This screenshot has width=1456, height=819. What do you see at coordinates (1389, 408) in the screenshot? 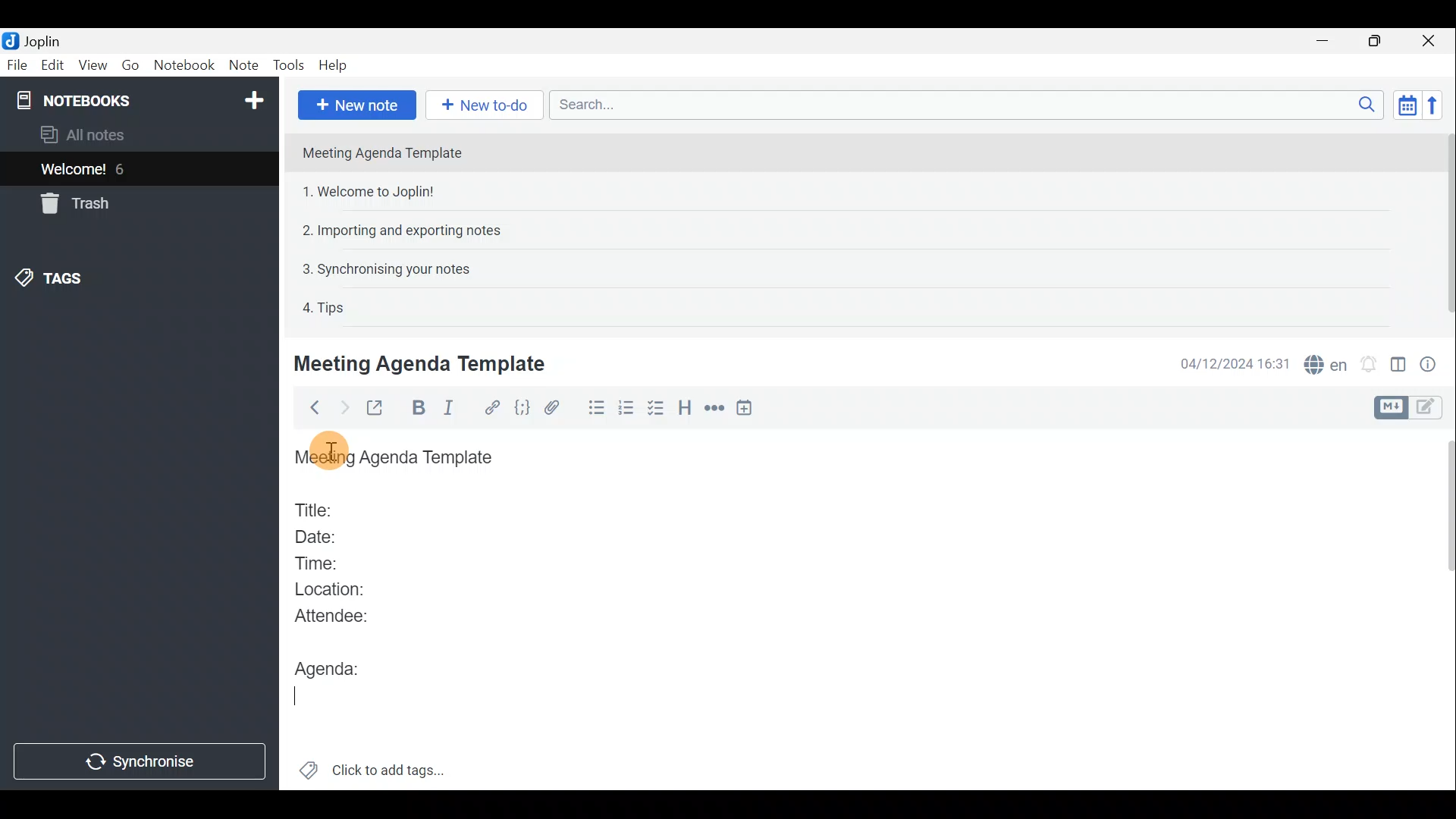
I see `Toggle editors` at bounding box center [1389, 408].